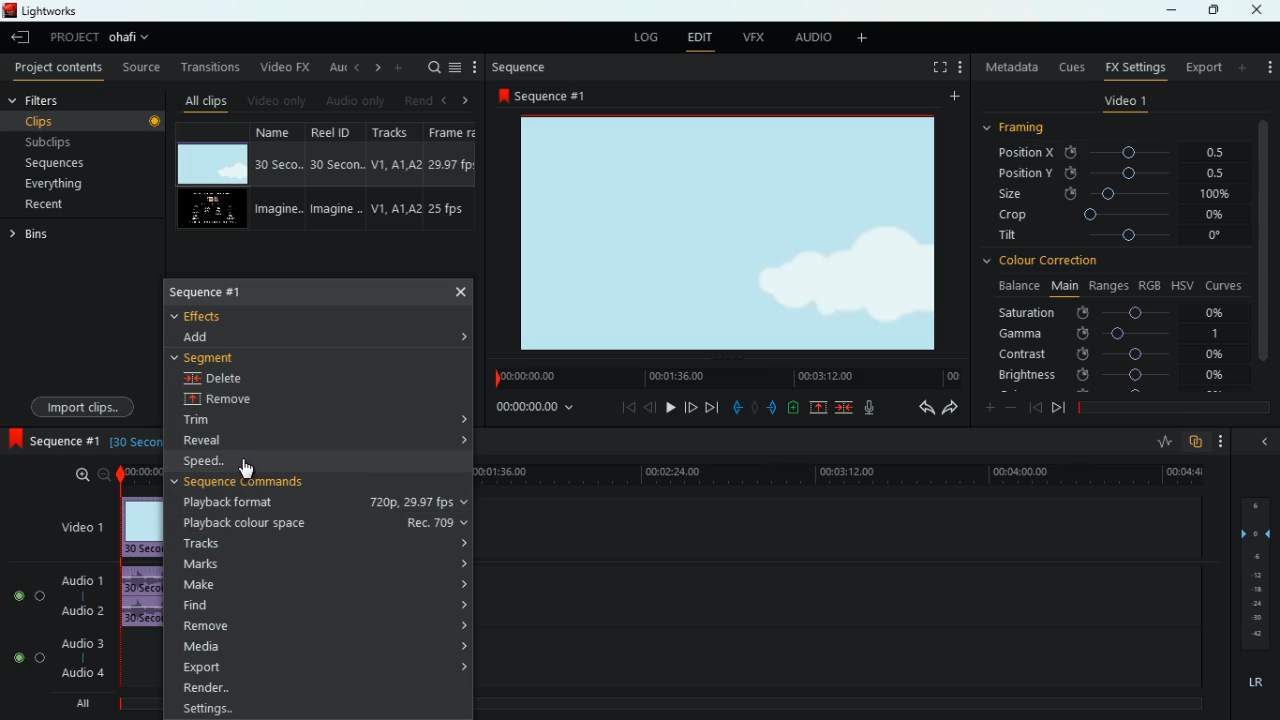 The image size is (1280, 720). Describe the element at coordinates (91, 475) in the screenshot. I see `zoom` at that location.